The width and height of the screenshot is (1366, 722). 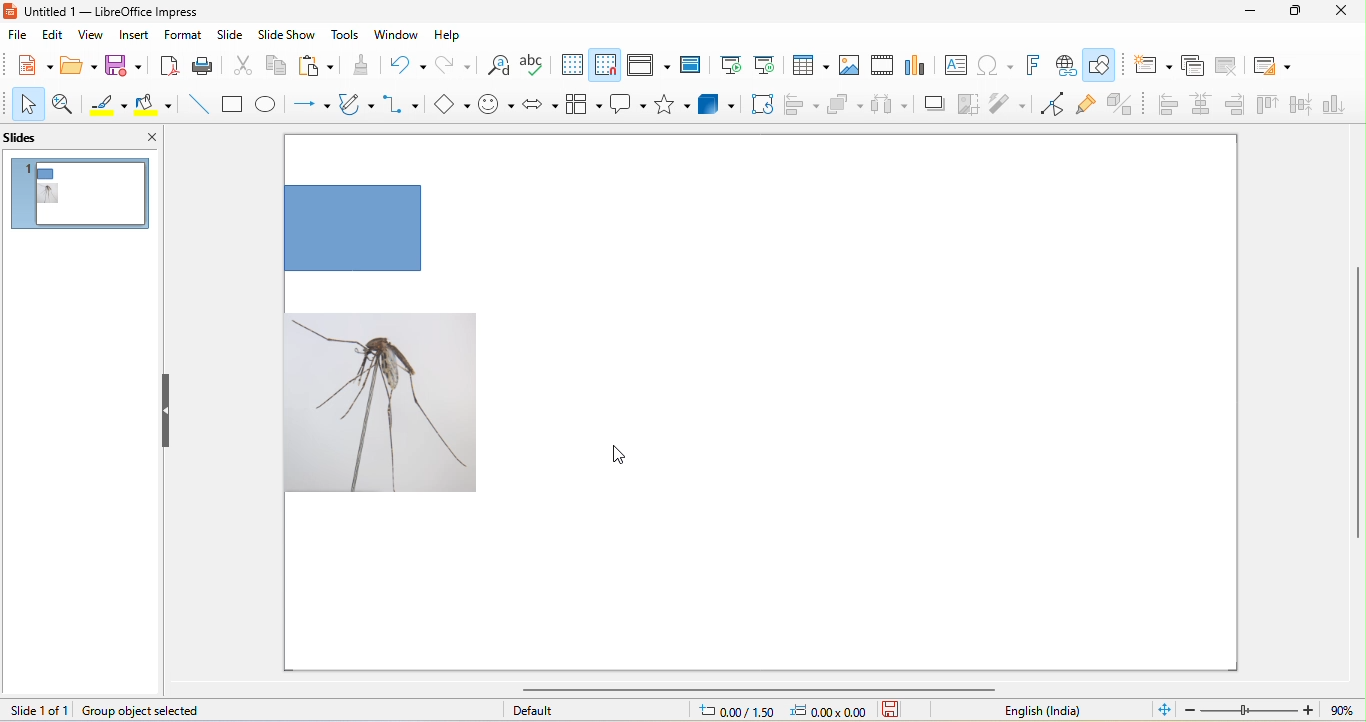 I want to click on video, so click(x=884, y=68).